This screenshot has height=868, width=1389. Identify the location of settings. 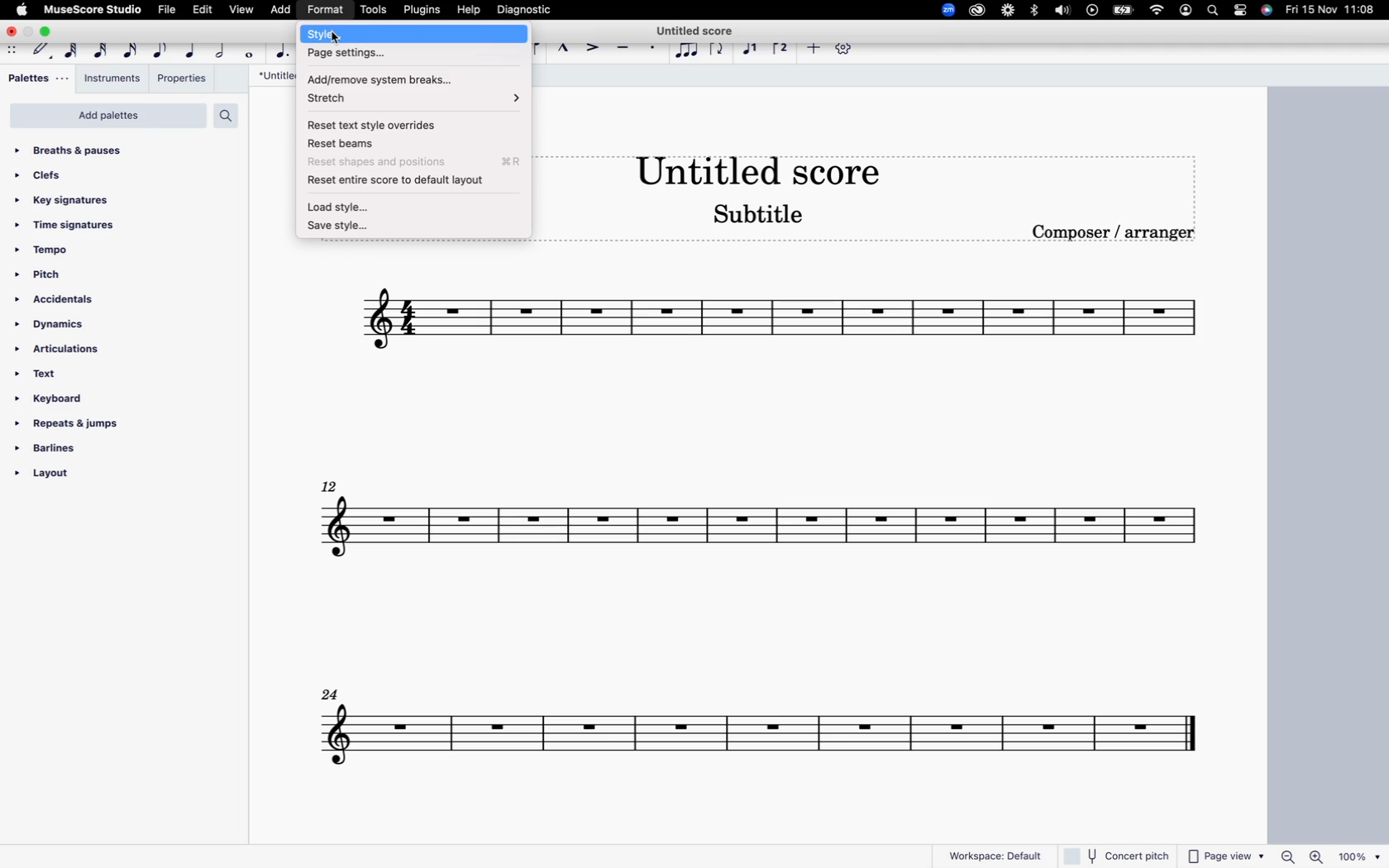
(1241, 12).